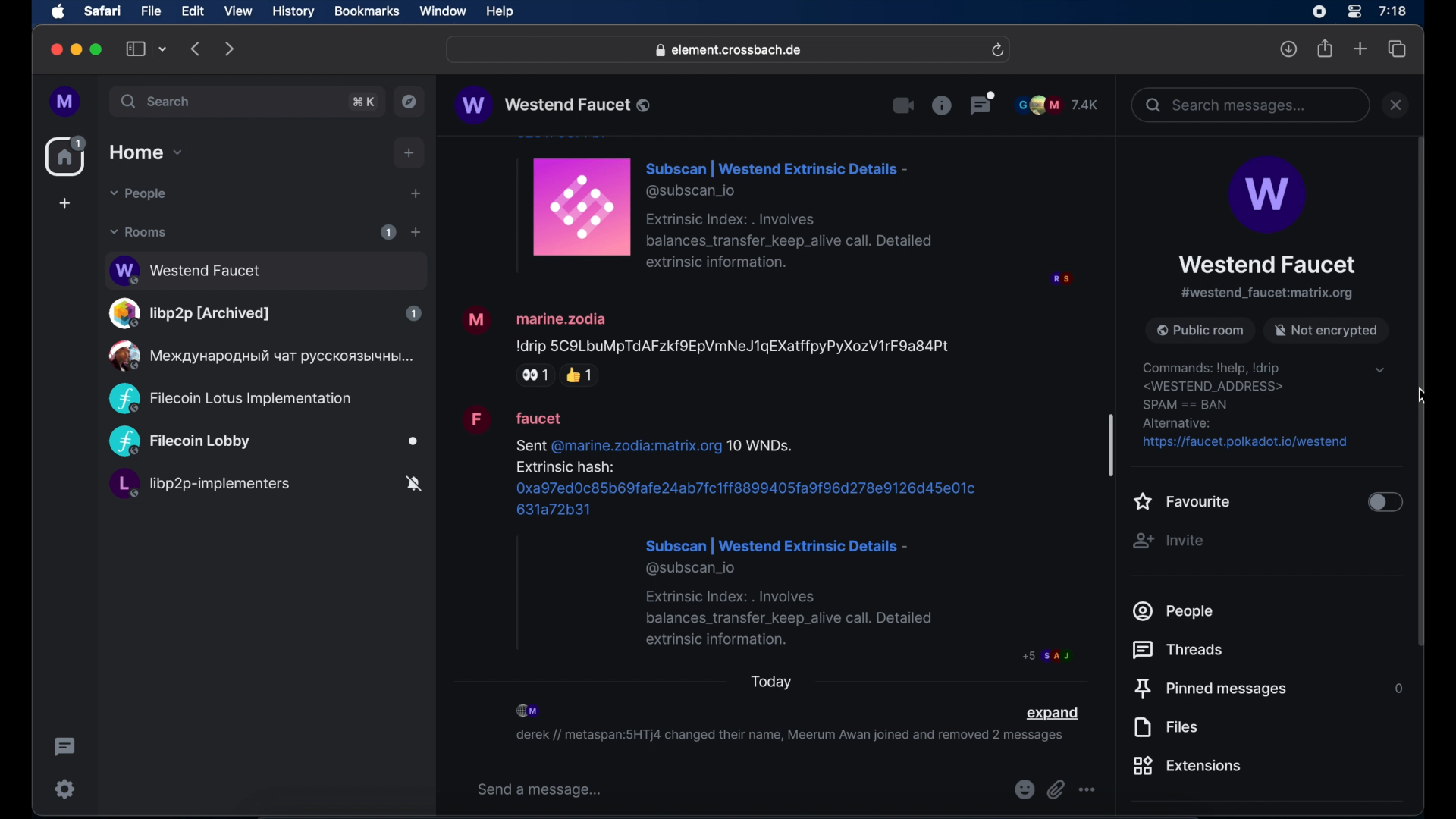  I want to click on home, so click(67, 156).